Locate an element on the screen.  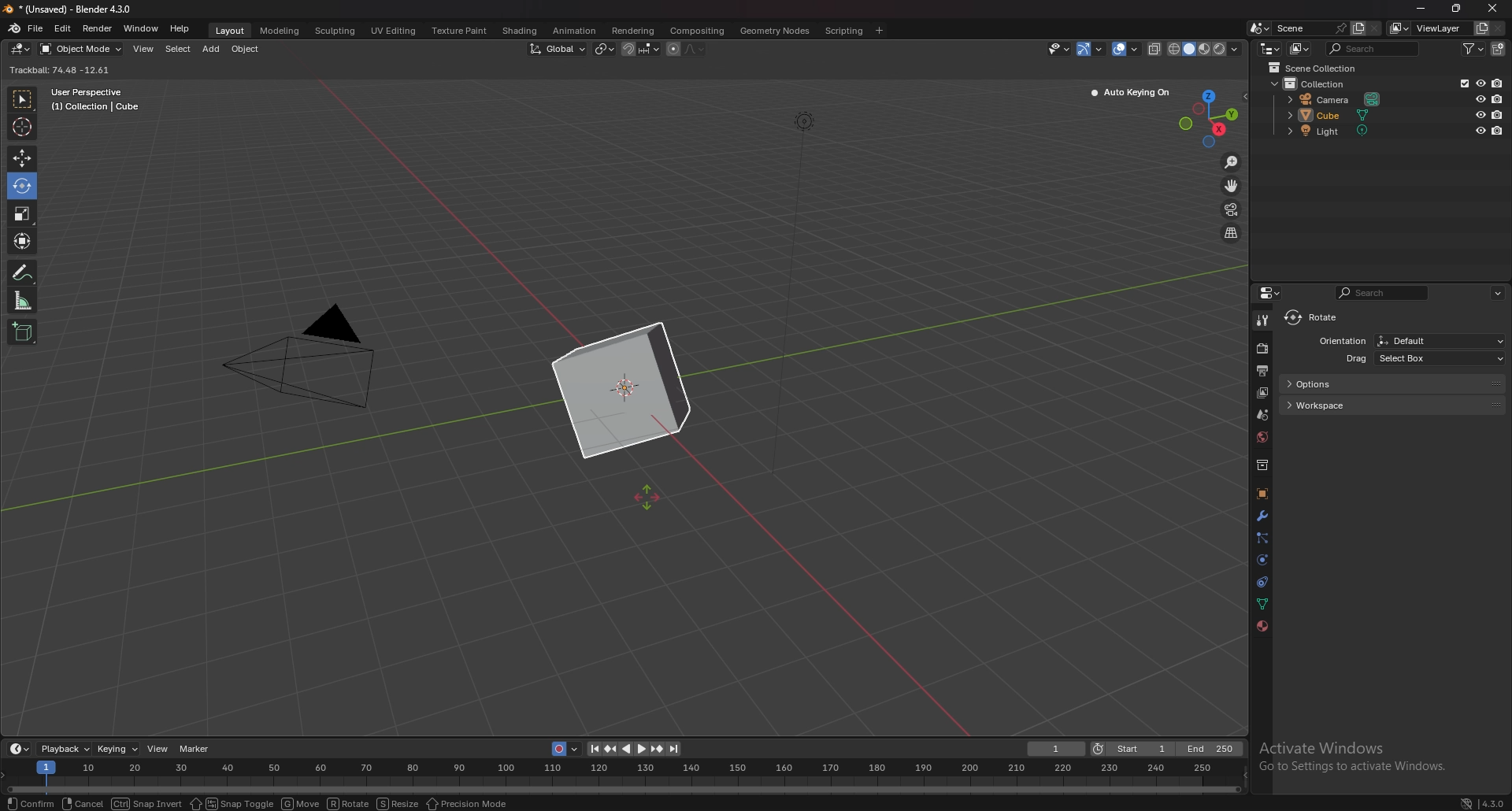
Orientation is located at coordinates (1341, 340).